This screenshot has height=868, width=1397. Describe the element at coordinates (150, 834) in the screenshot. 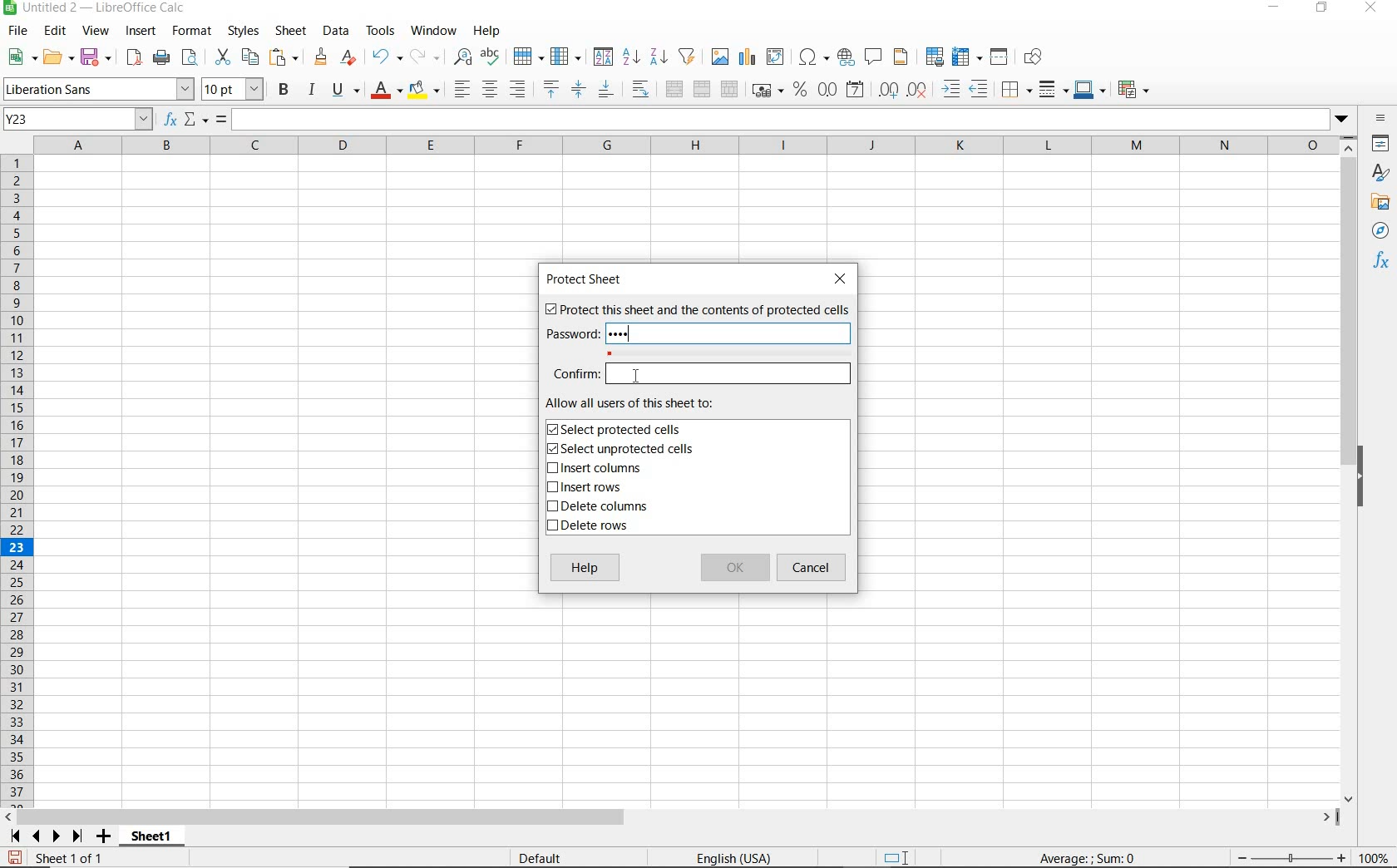

I see `sheet 1` at that location.